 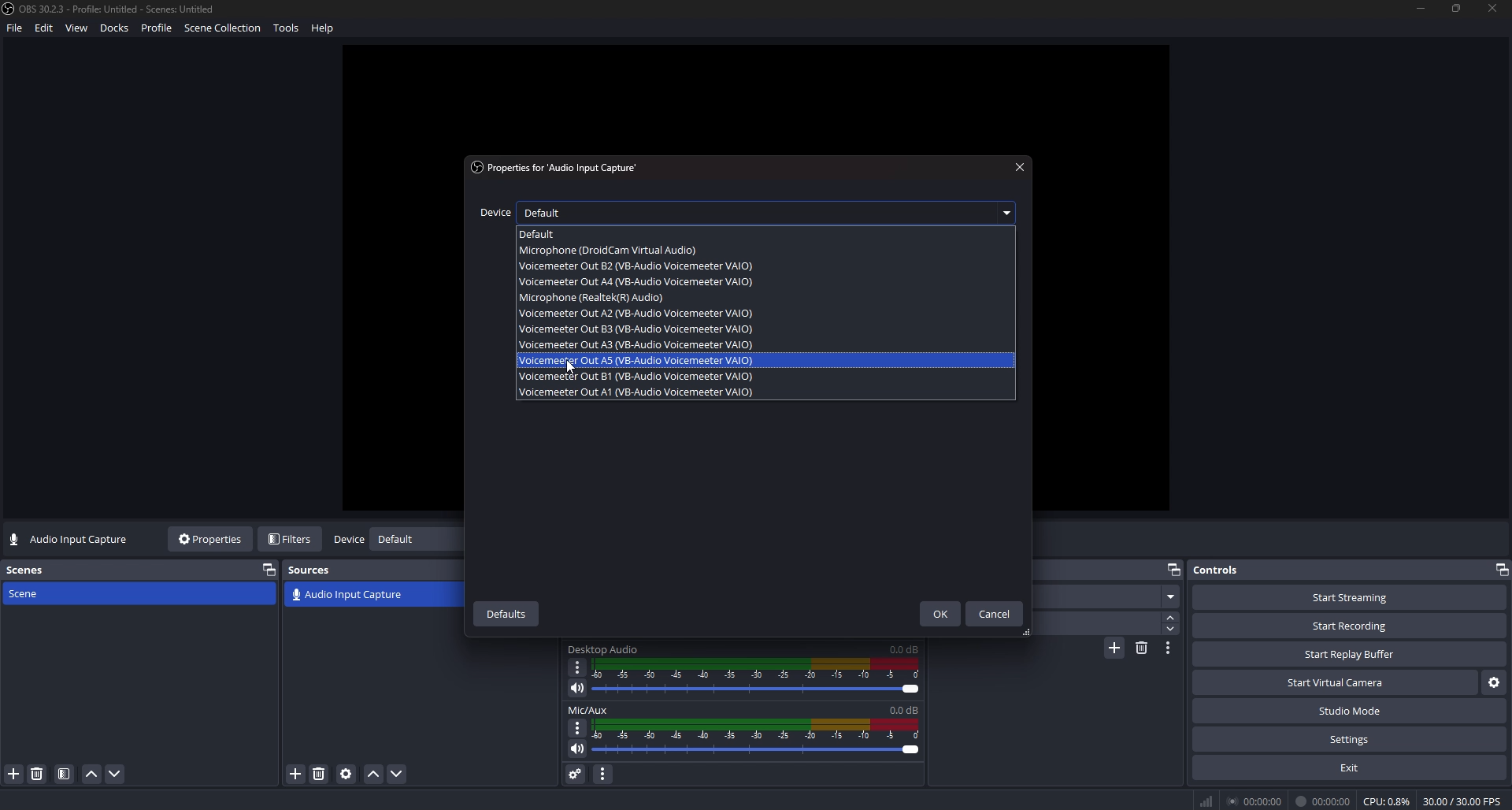 I want to click on voicemeeter out b2, so click(x=636, y=266).